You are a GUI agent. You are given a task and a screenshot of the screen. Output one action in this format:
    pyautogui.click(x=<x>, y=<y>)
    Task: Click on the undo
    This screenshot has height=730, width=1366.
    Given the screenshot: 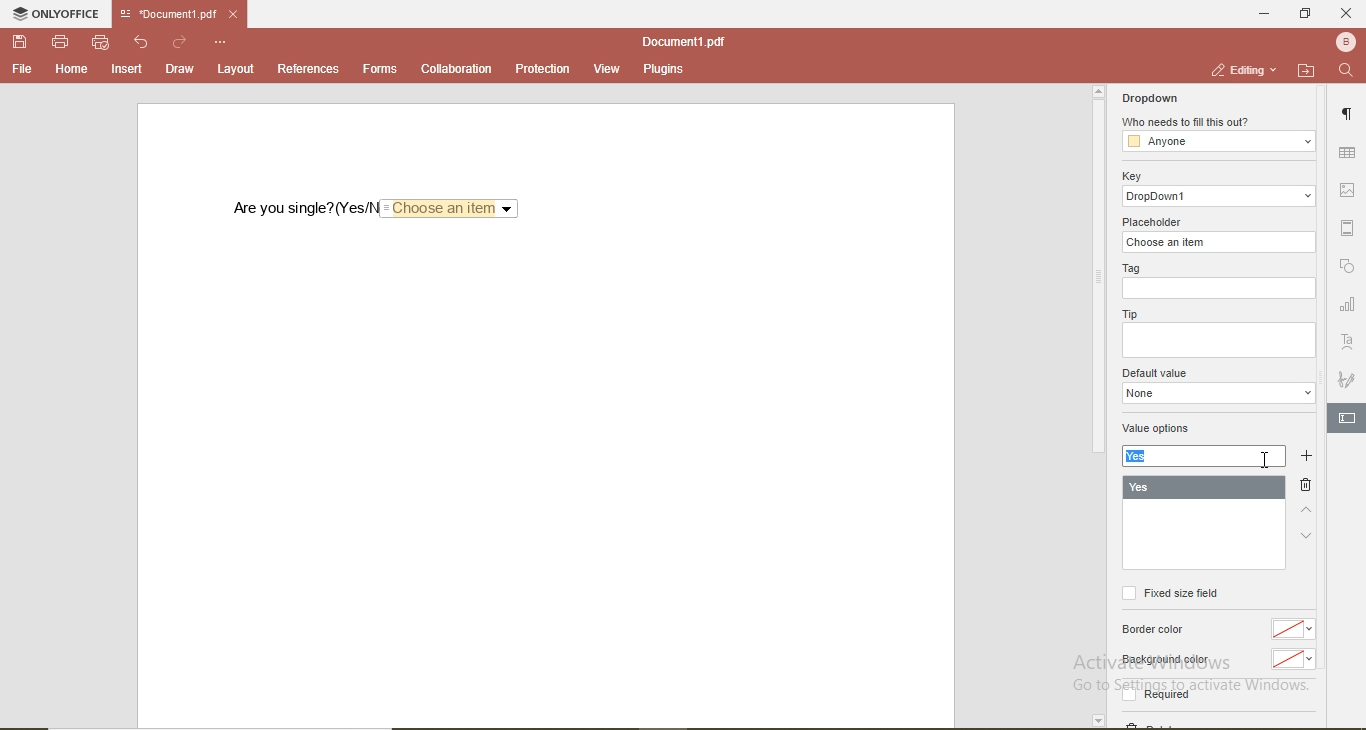 What is the action you would take?
    pyautogui.click(x=142, y=43)
    